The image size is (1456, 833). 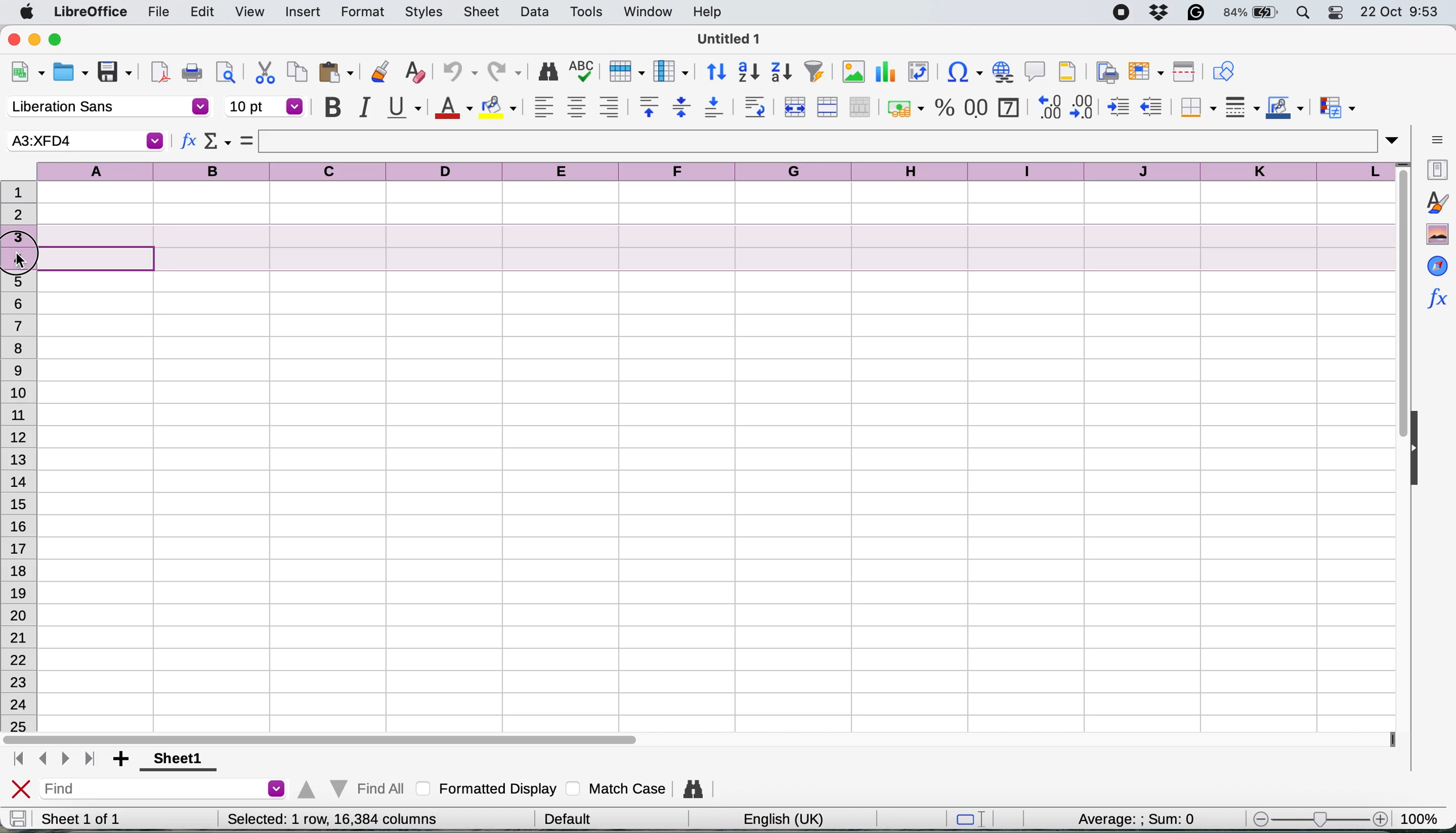 I want to click on columns, so click(x=718, y=169).